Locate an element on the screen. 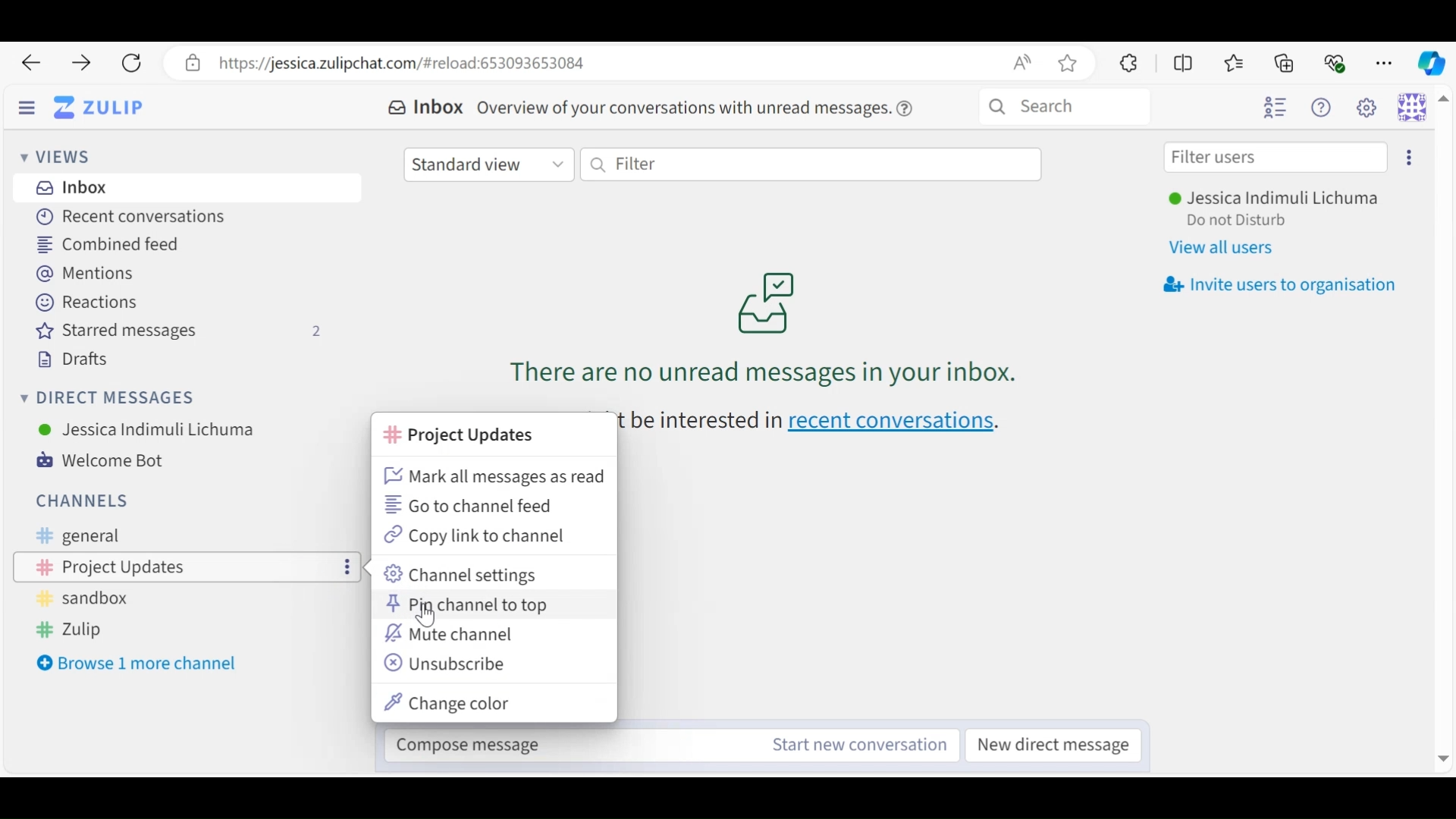  Reload is located at coordinates (130, 64).